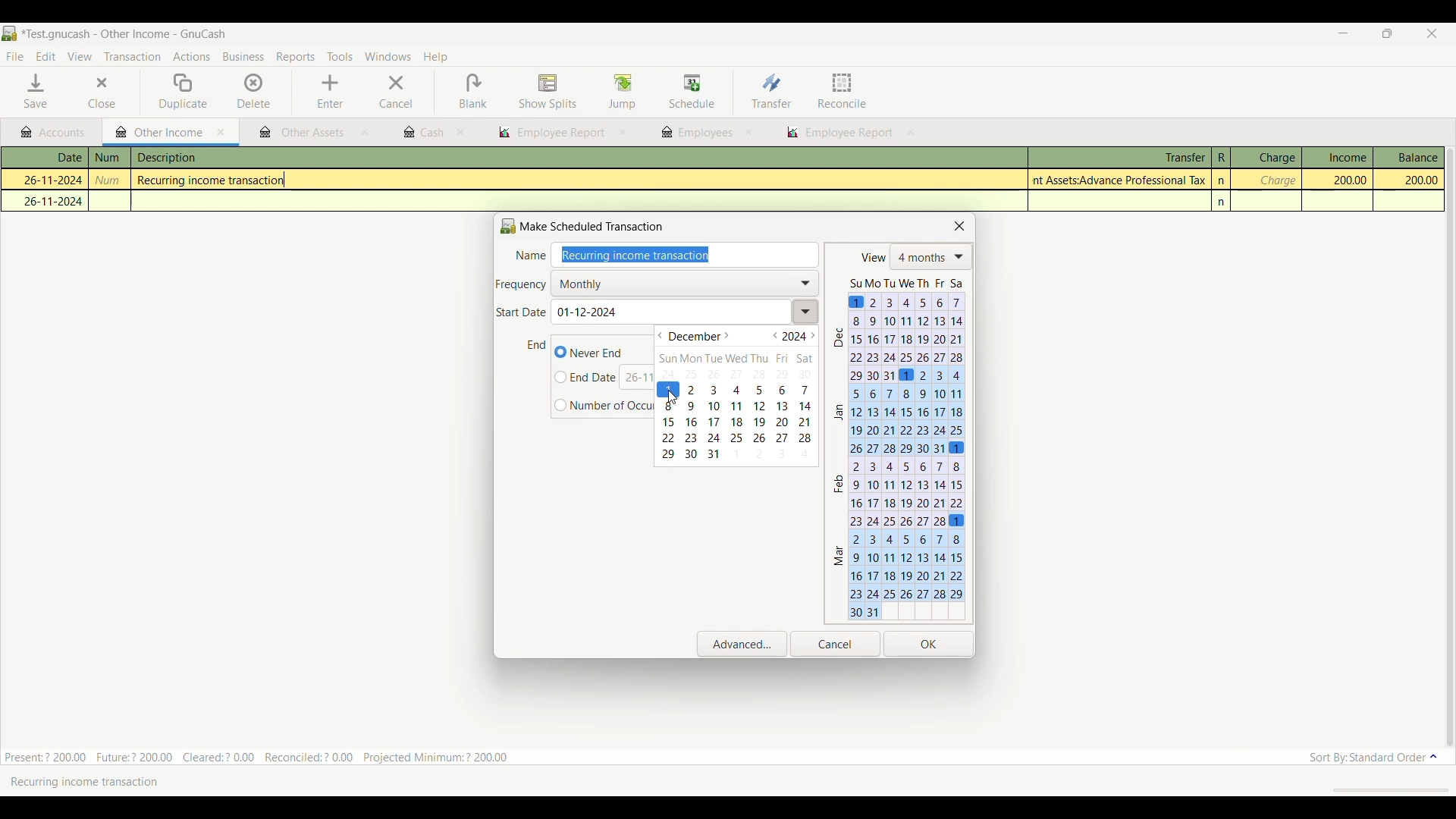 The image size is (1456, 819). What do you see at coordinates (14, 57) in the screenshot?
I see `File menu` at bounding box center [14, 57].